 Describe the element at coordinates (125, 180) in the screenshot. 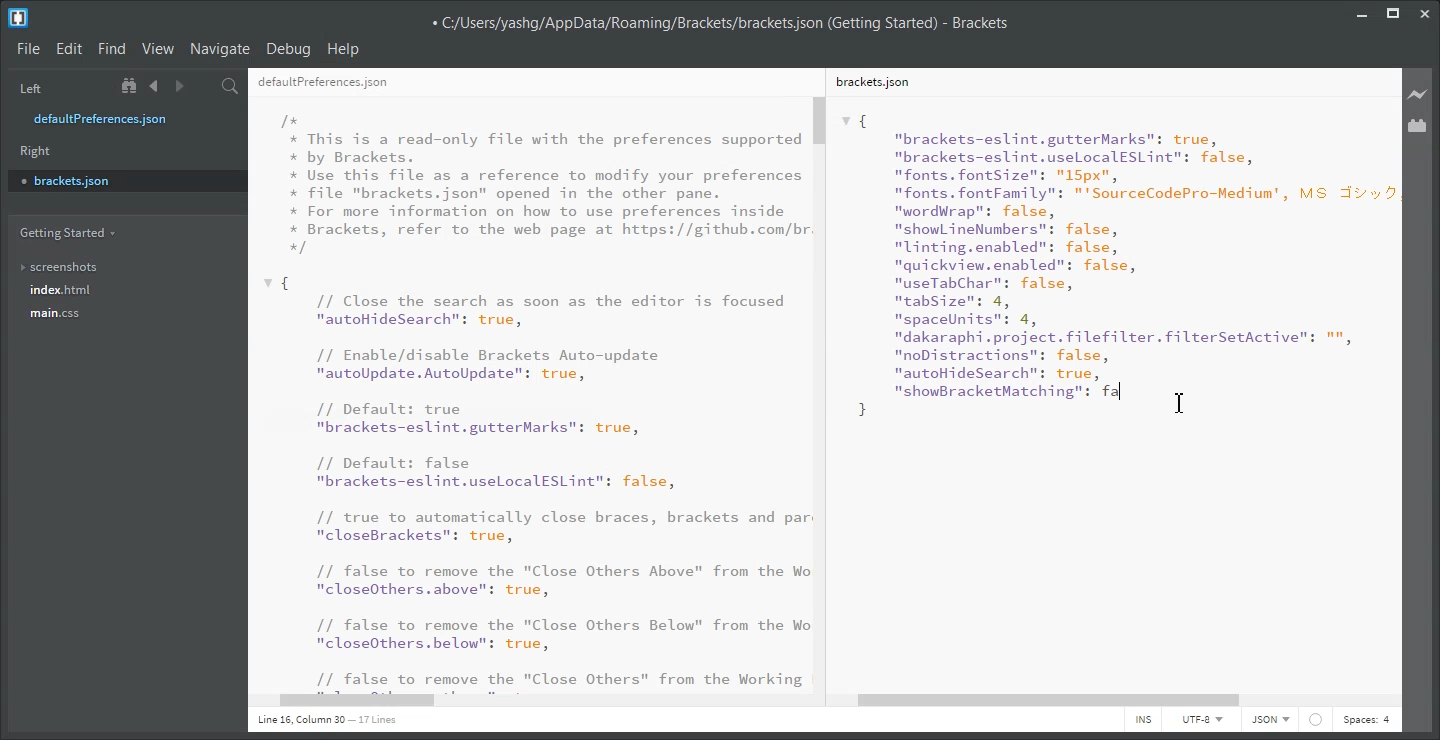

I see `brackets.json` at that location.